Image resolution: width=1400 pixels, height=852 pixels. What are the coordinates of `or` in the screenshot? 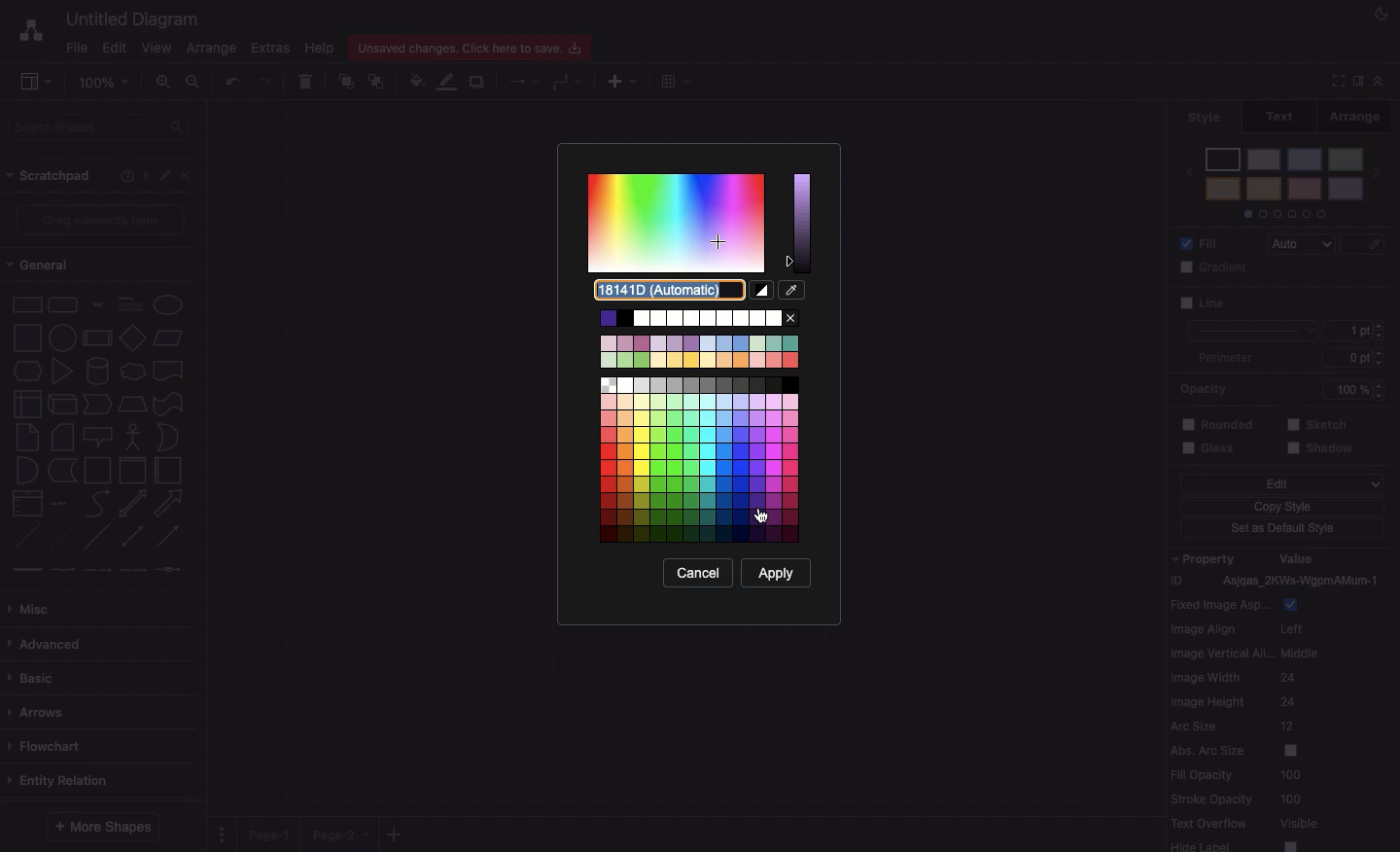 It's located at (167, 438).